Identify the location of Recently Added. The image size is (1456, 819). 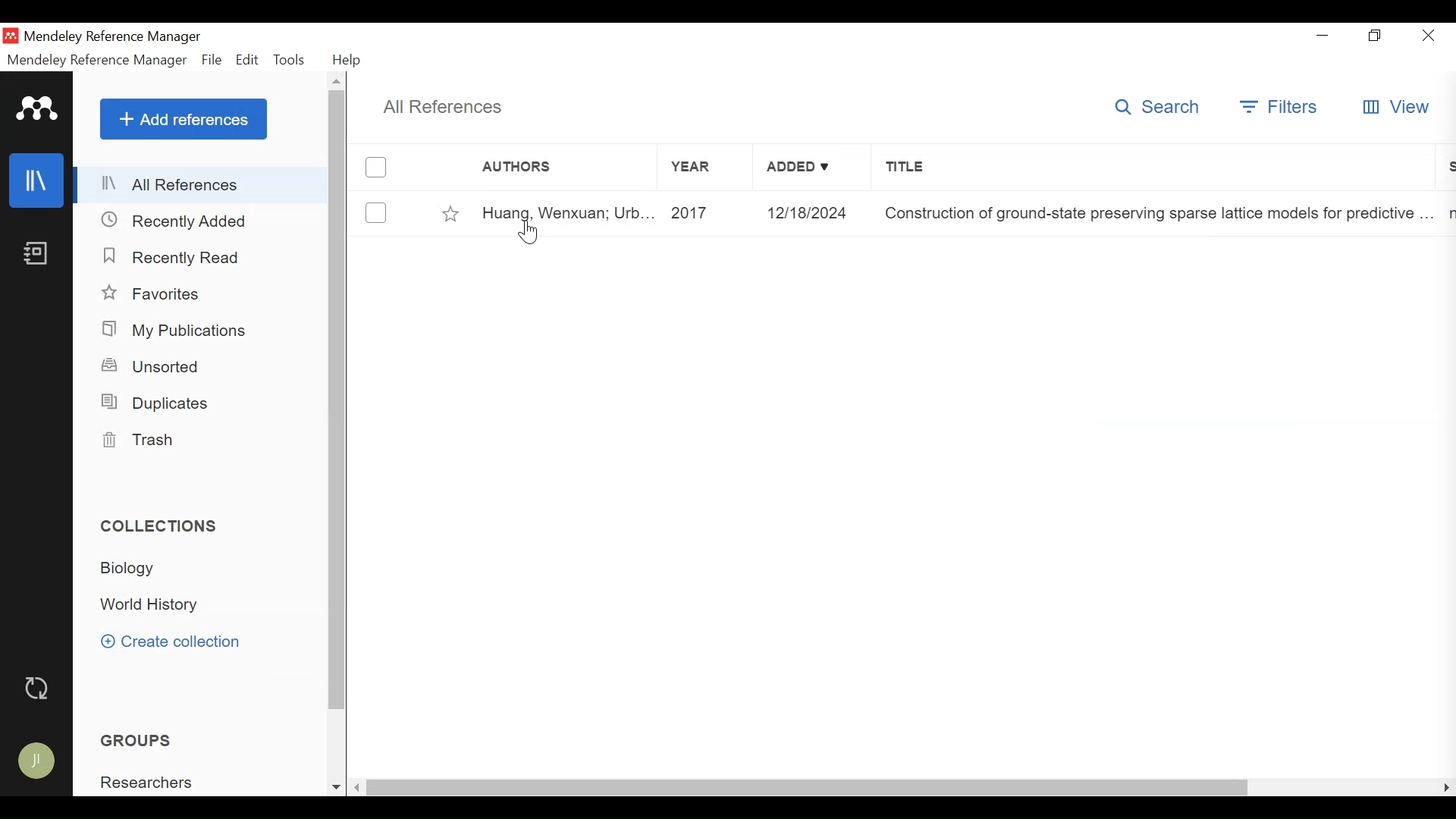
(174, 221).